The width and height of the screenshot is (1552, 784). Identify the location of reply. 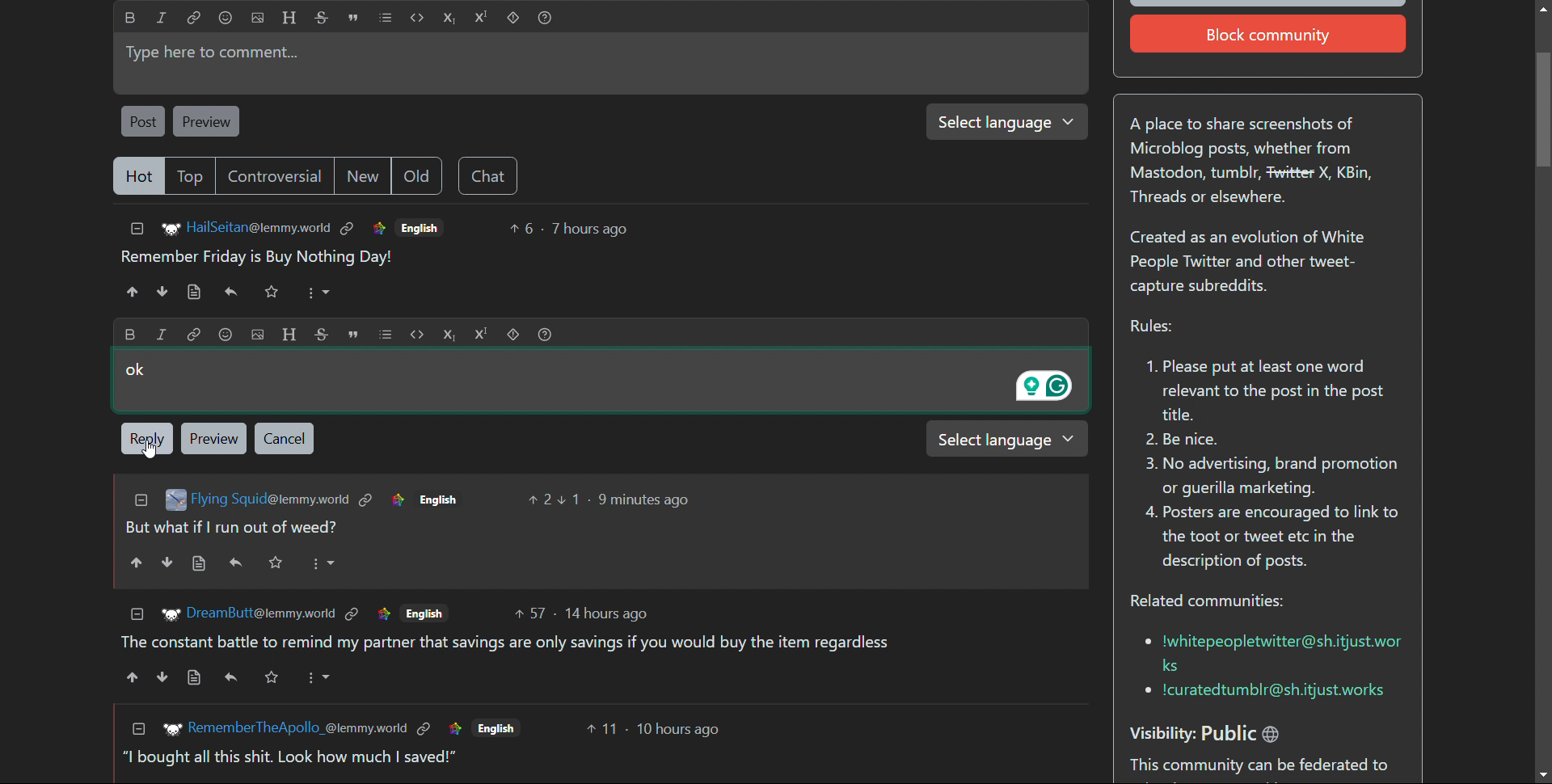
(147, 439).